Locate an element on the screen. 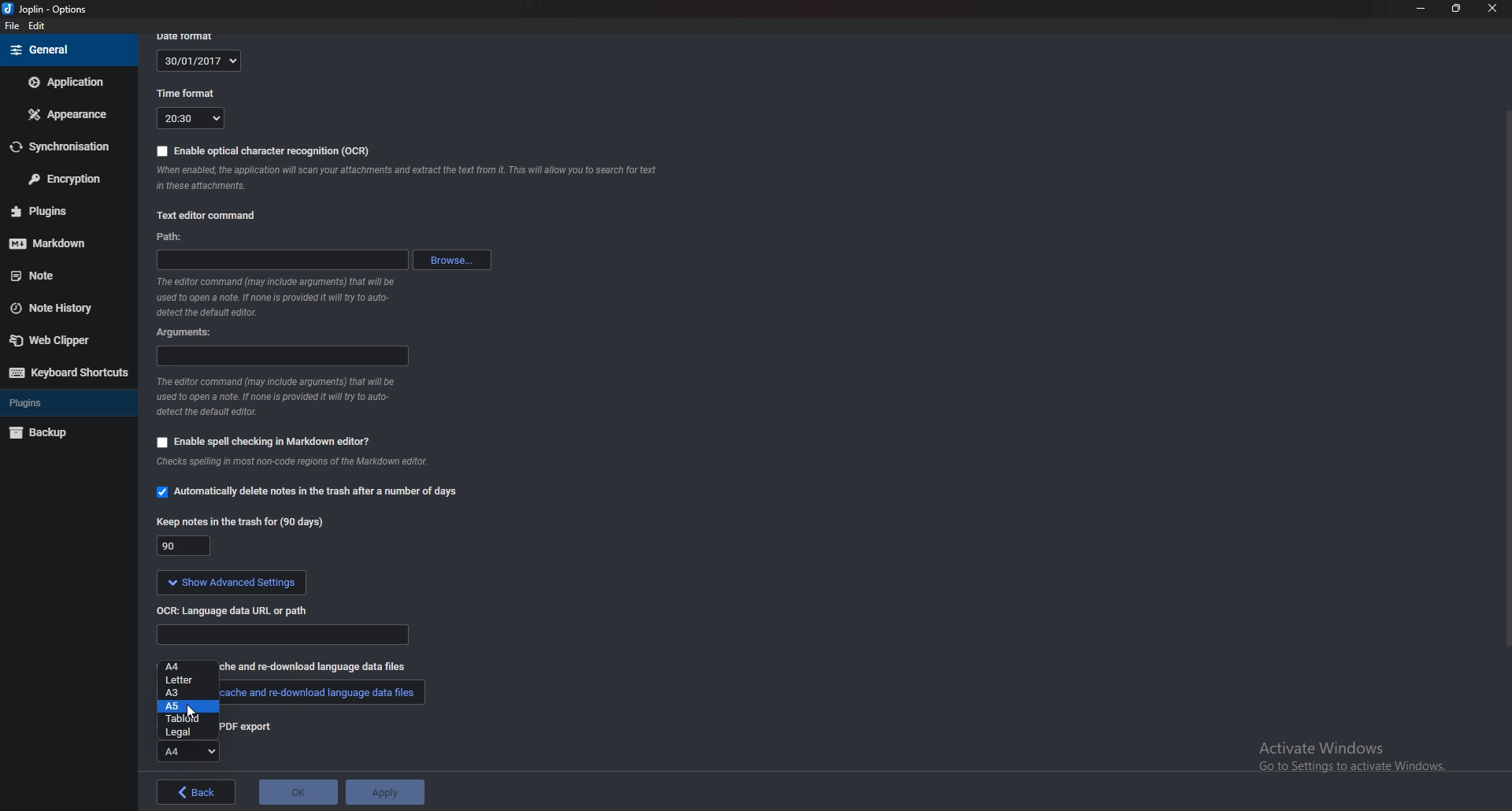 This screenshot has height=811, width=1512. arguments is located at coordinates (280, 357).